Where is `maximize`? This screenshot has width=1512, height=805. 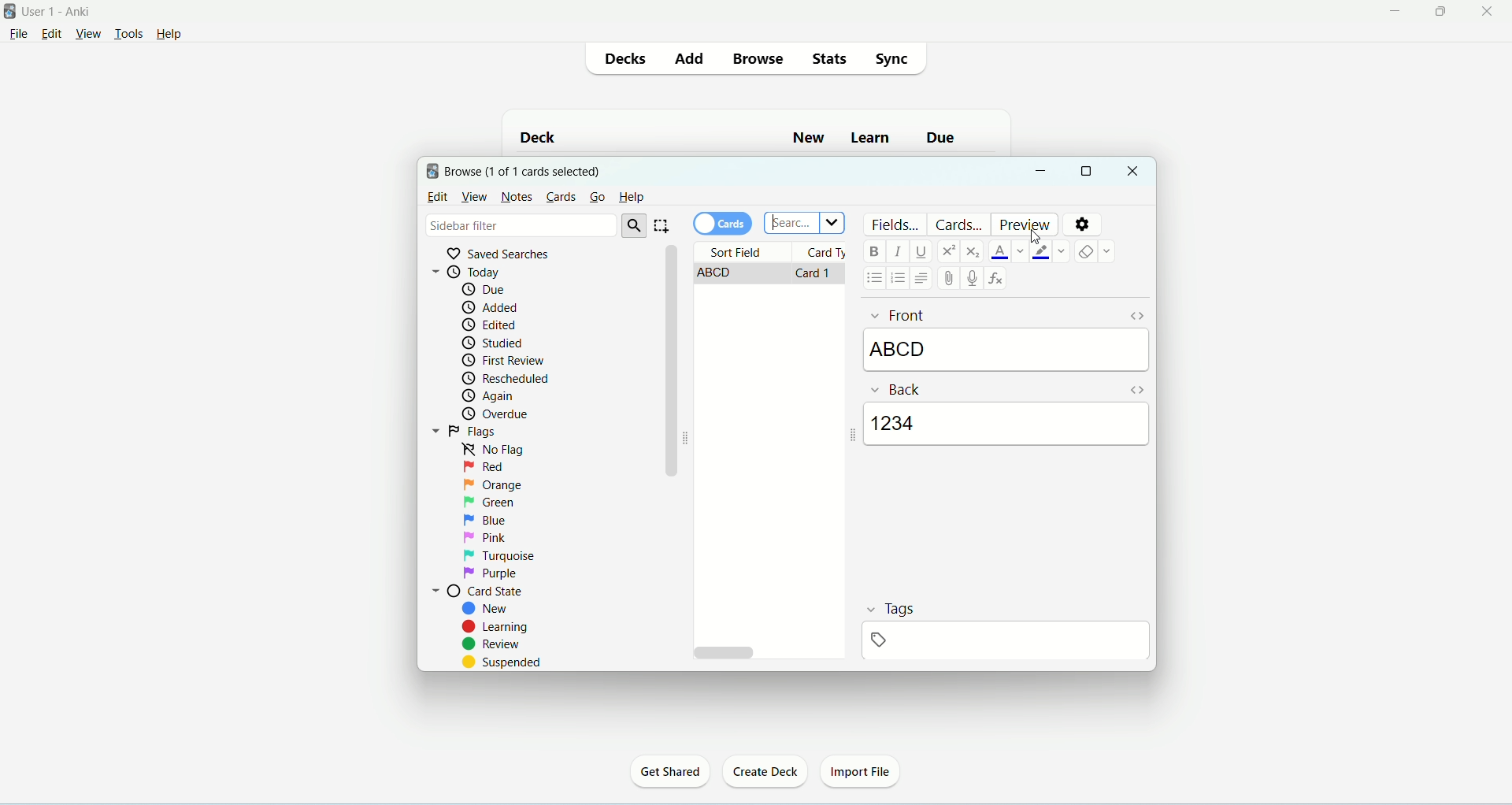 maximize is located at coordinates (1086, 172).